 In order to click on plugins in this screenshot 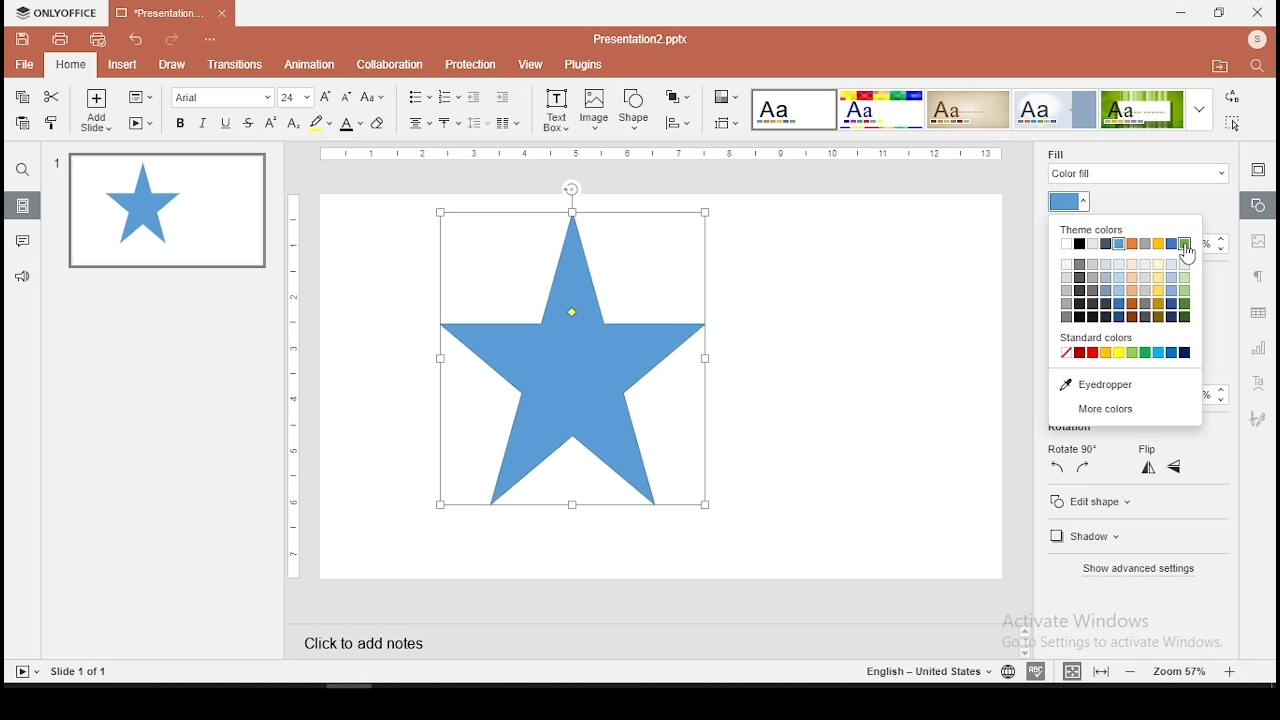, I will do `click(584, 66)`.